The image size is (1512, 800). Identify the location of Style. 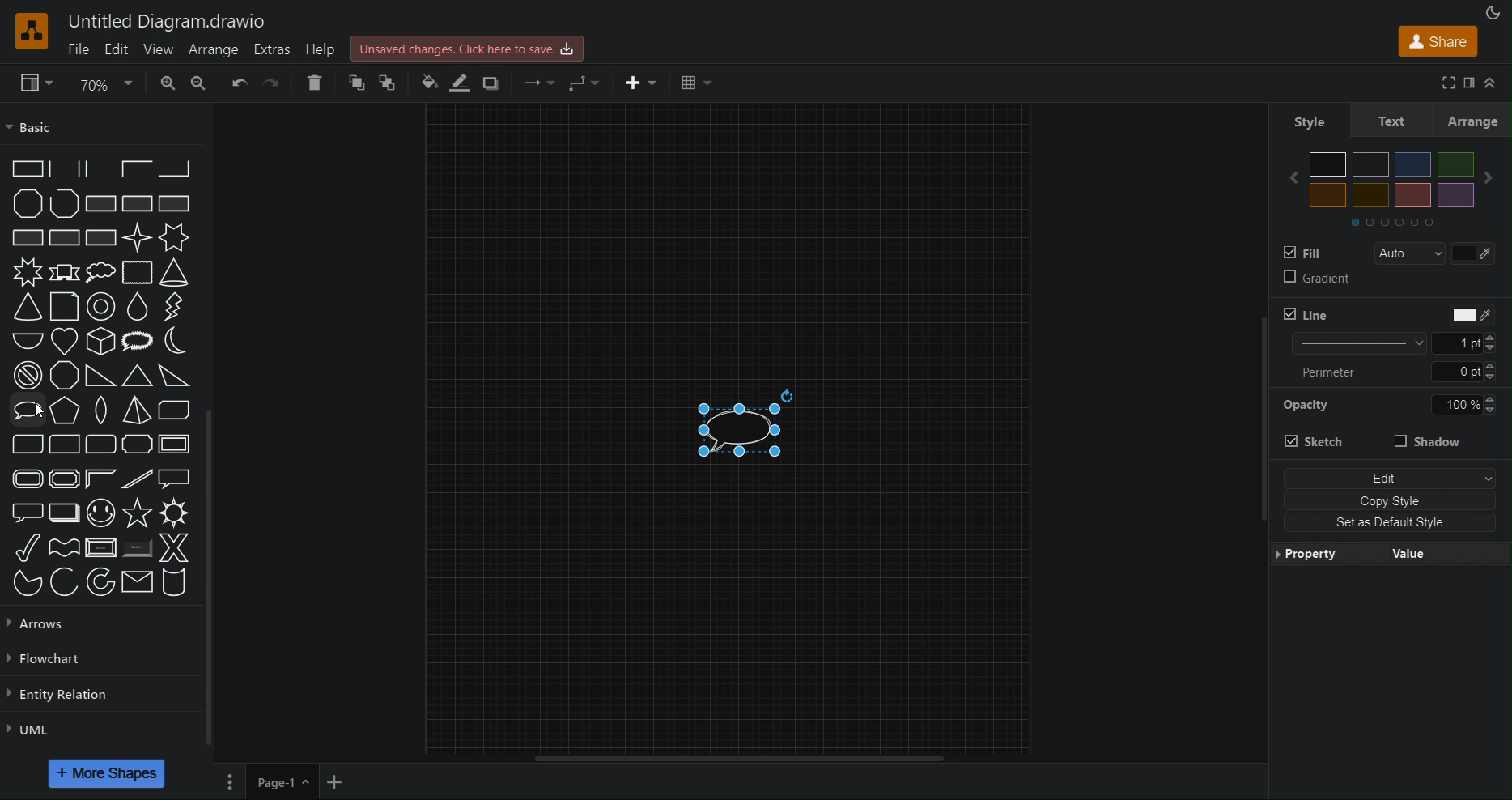
(1306, 121).